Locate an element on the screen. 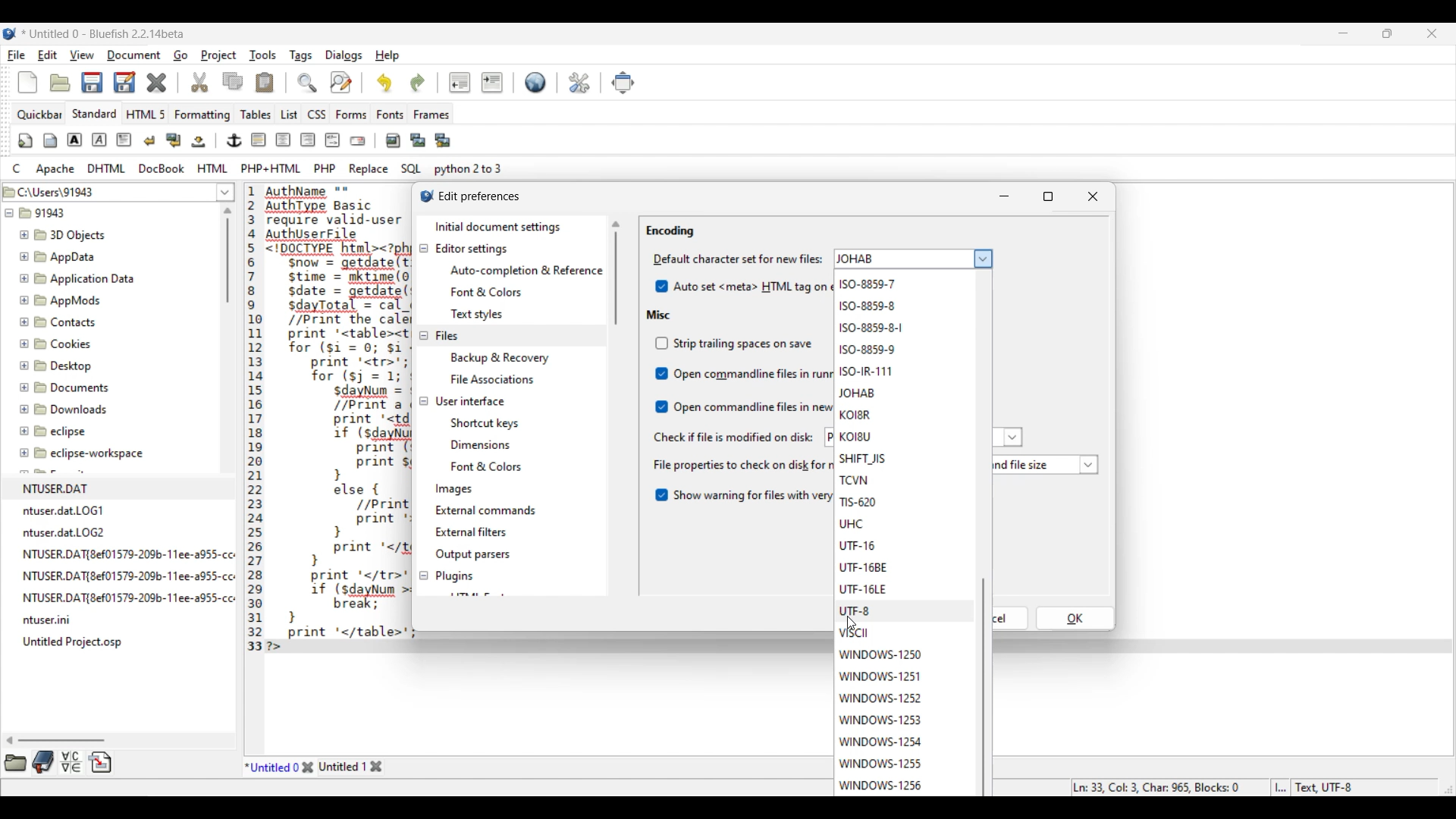  OK is located at coordinates (1075, 617).